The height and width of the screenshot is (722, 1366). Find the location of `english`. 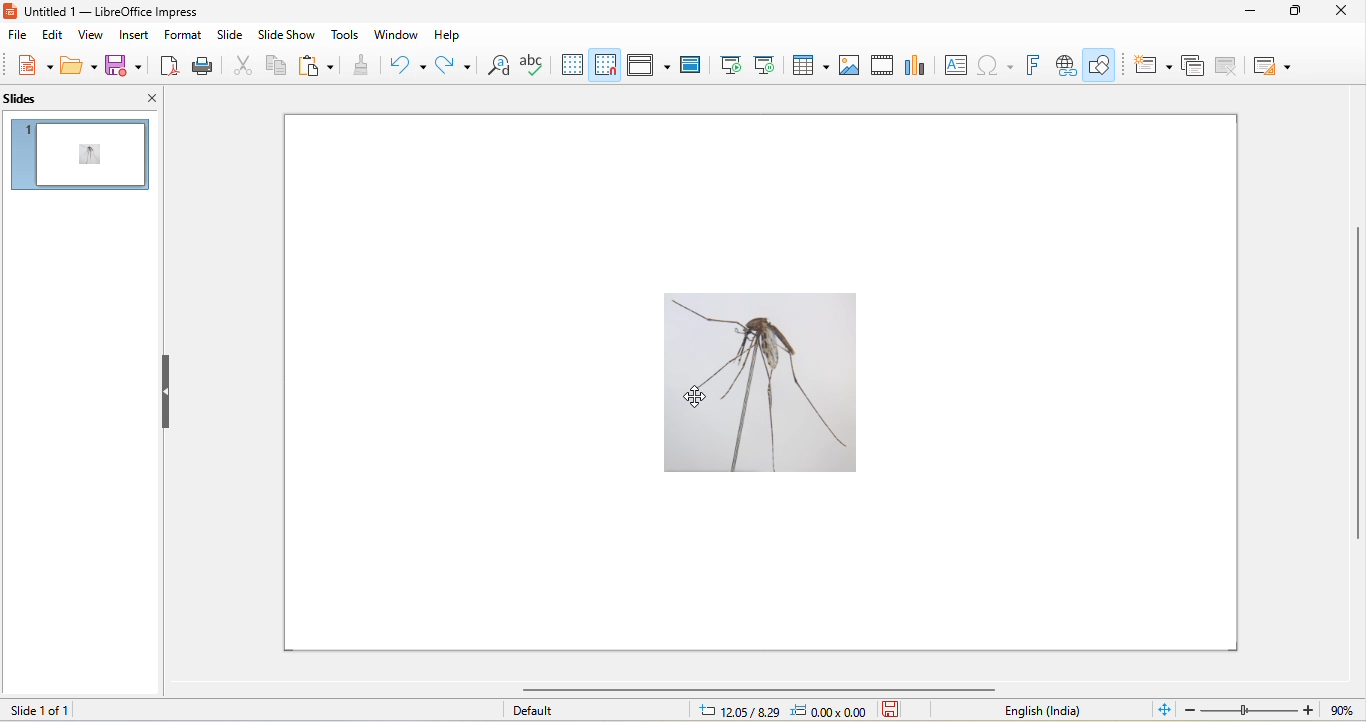

english is located at coordinates (1058, 712).